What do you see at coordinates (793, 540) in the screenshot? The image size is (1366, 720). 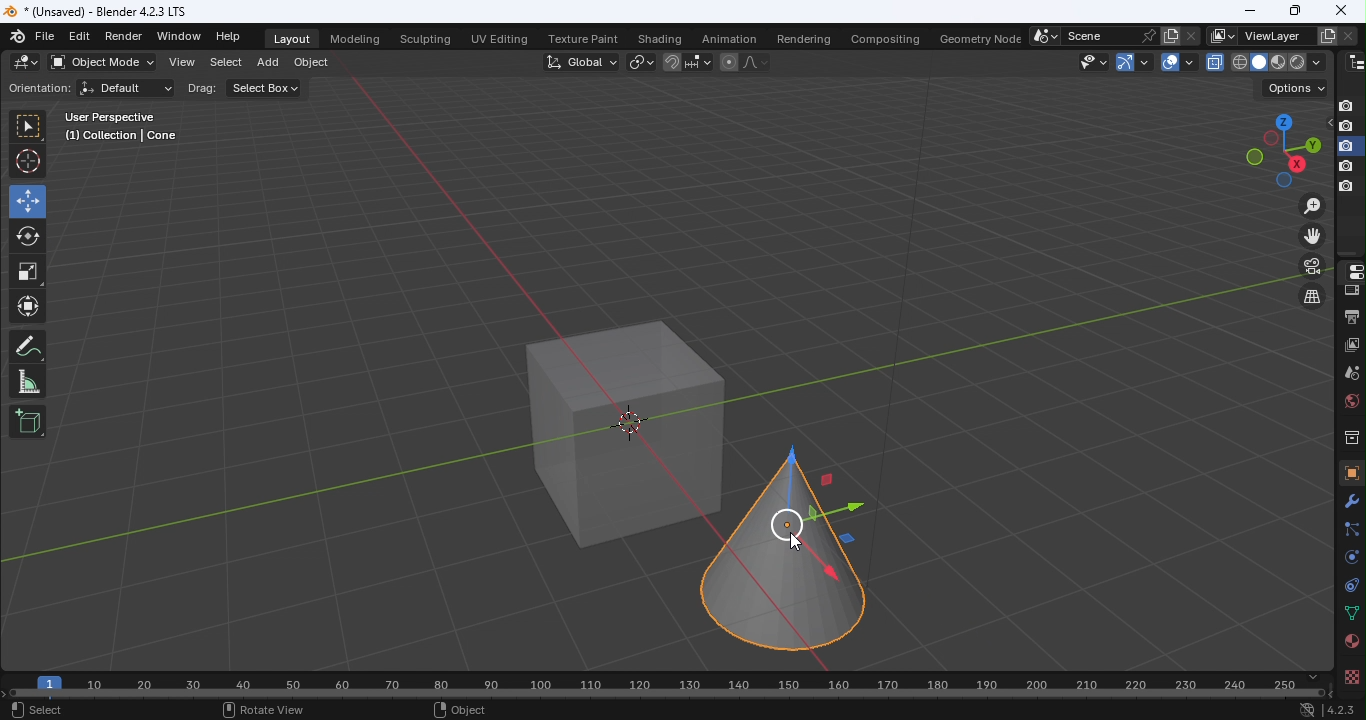 I see `cursor` at bounding box center [793, 540].